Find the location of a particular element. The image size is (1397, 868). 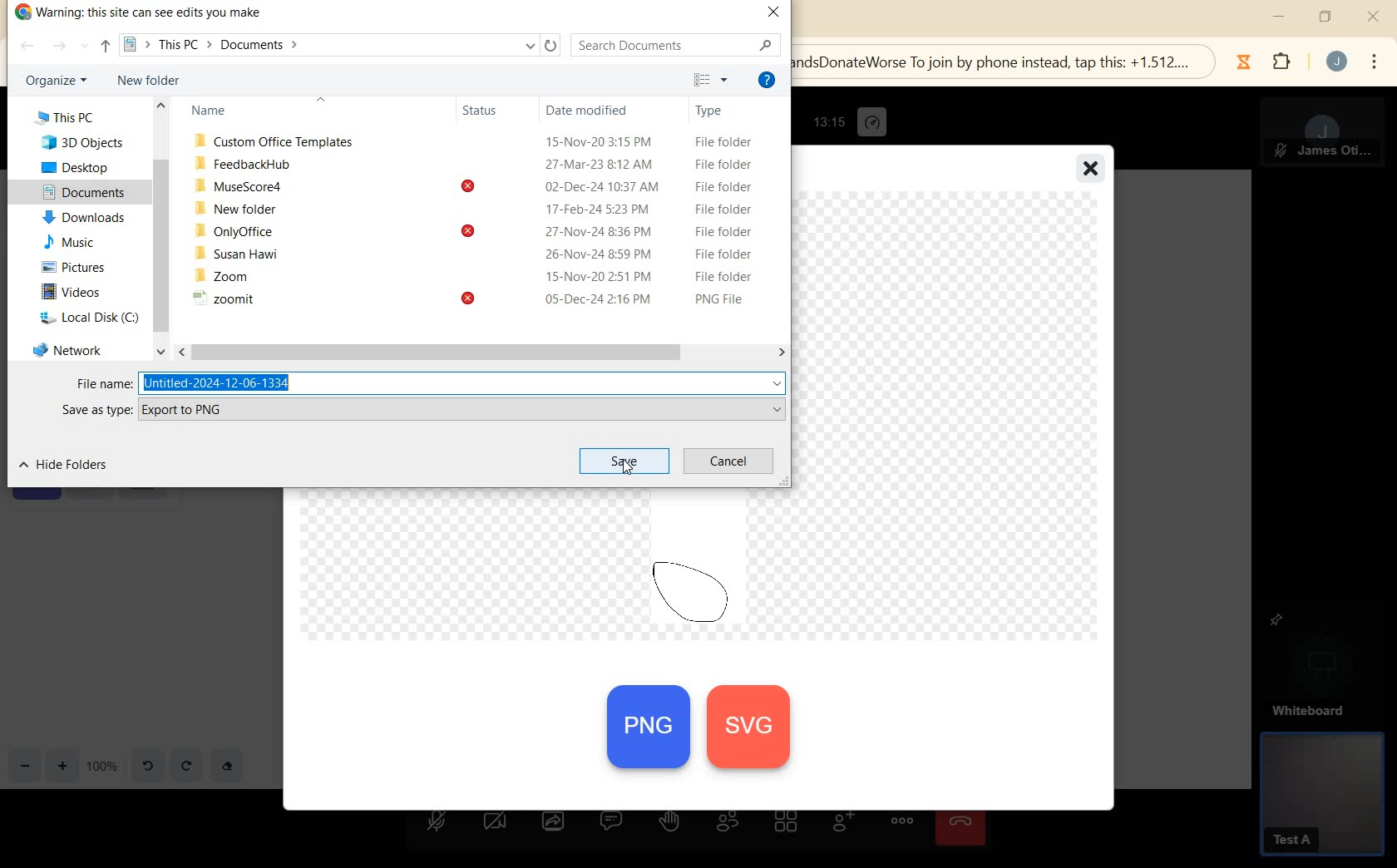

~ zoomit 9 05-Dec-24 2:16 PM PNG File is located at coordinates (231, 300).